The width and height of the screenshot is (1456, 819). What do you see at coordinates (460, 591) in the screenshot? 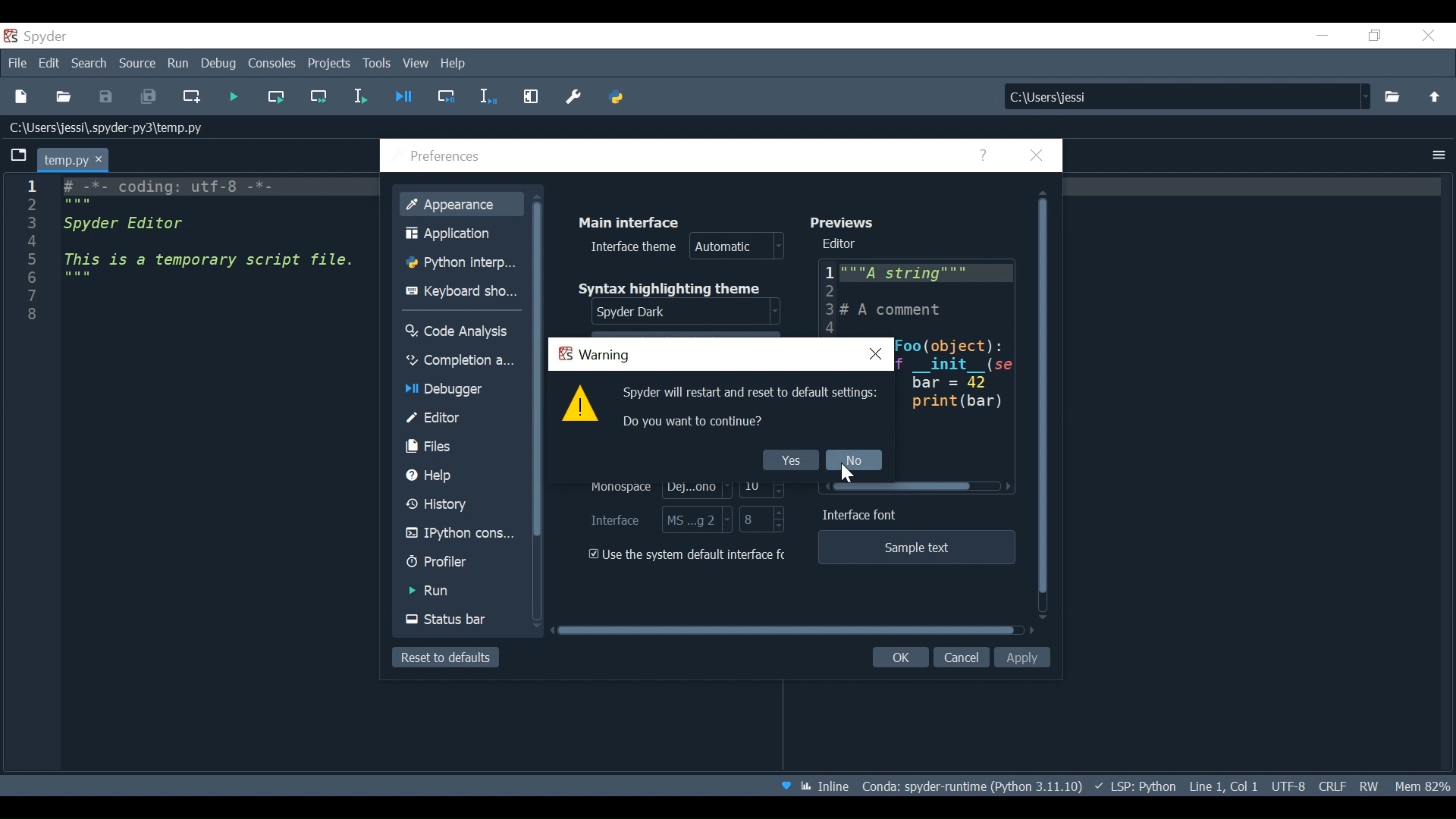
I see `Run` at bounding box center [460, 591].